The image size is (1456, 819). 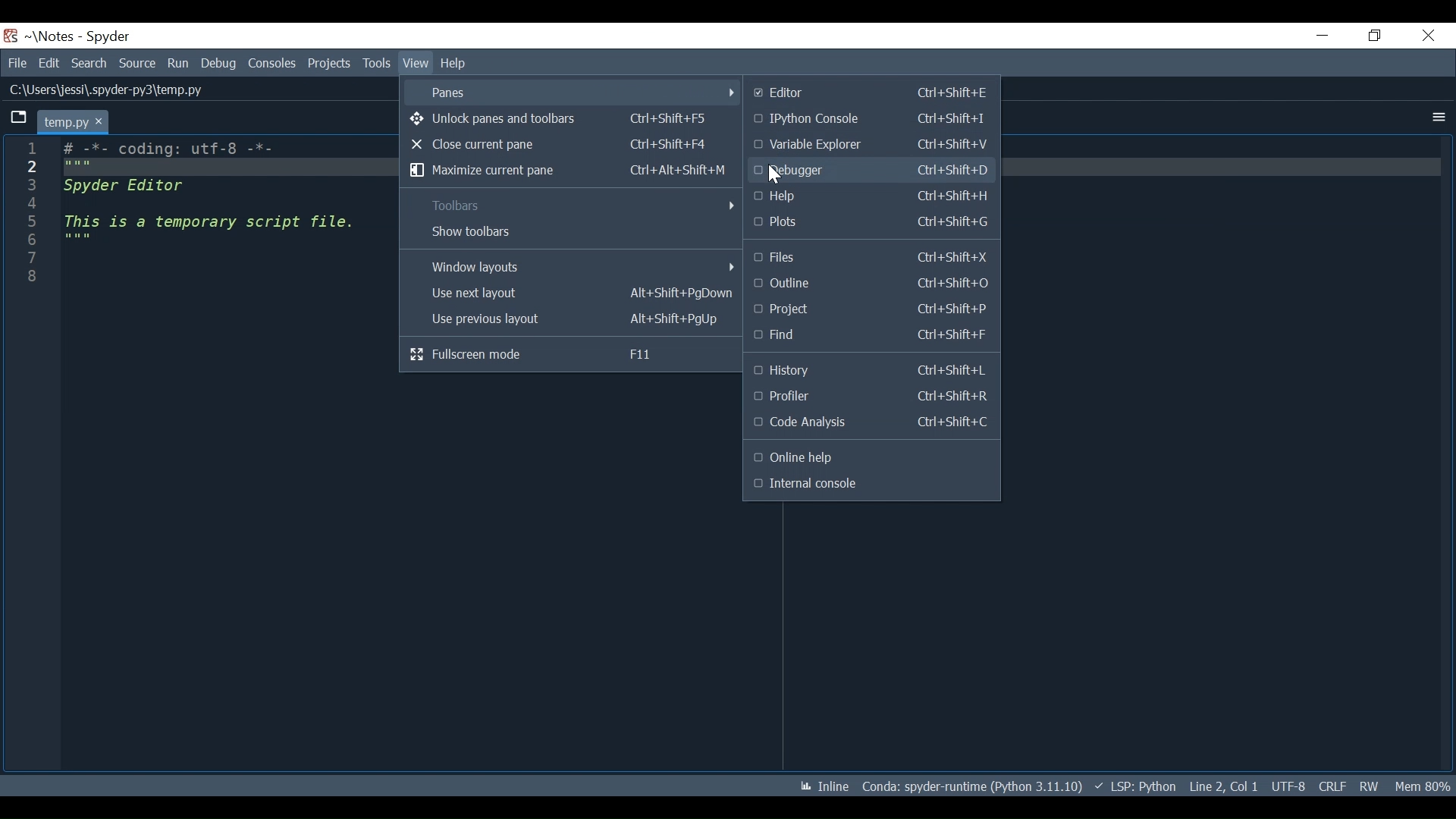 What do you see at coordinates (824, 786) in the screenshot?
I see `Inline` at bounding box center [824, 786].